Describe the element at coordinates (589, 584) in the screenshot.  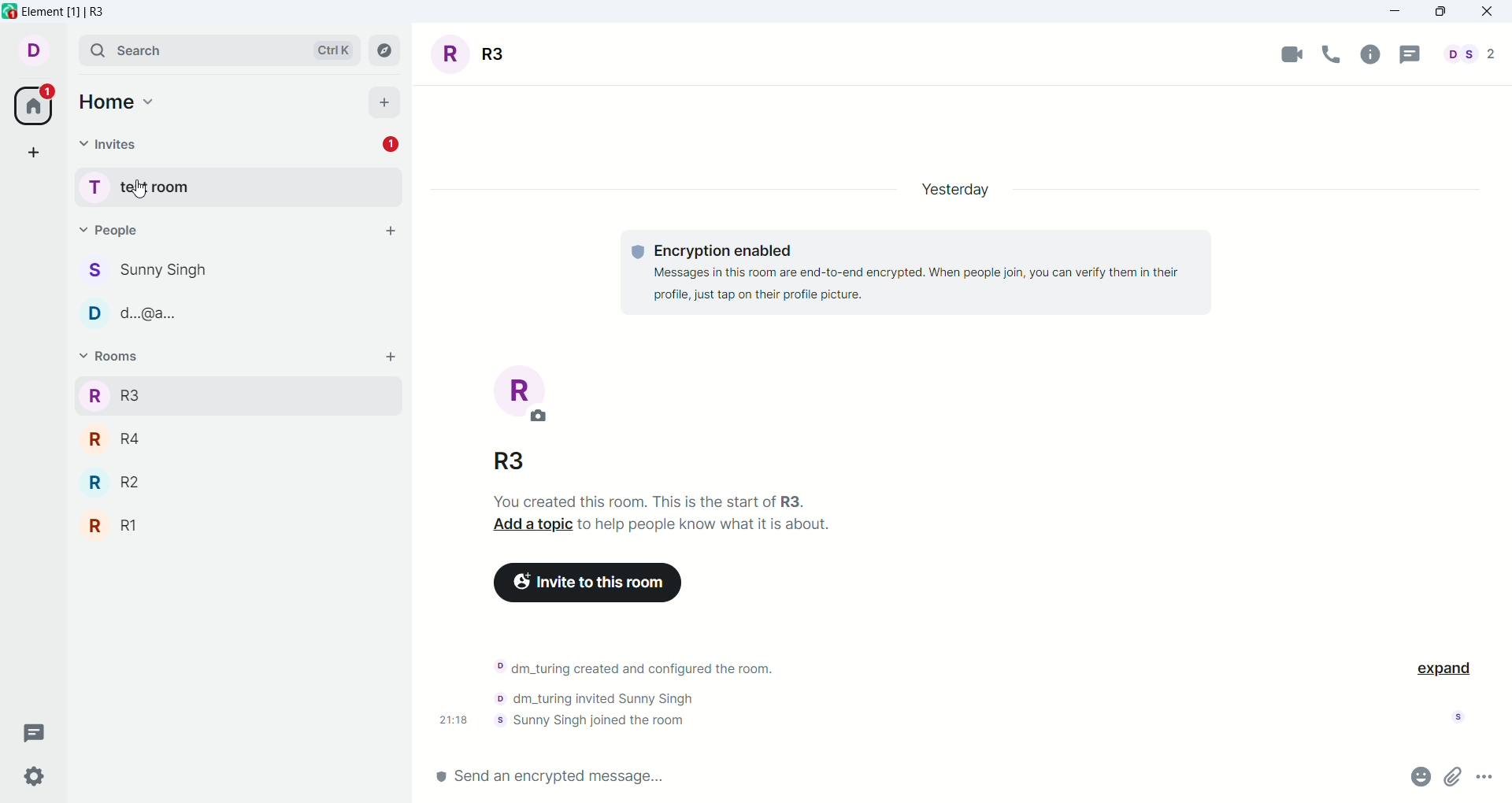
I see `invite to this room` at that location.